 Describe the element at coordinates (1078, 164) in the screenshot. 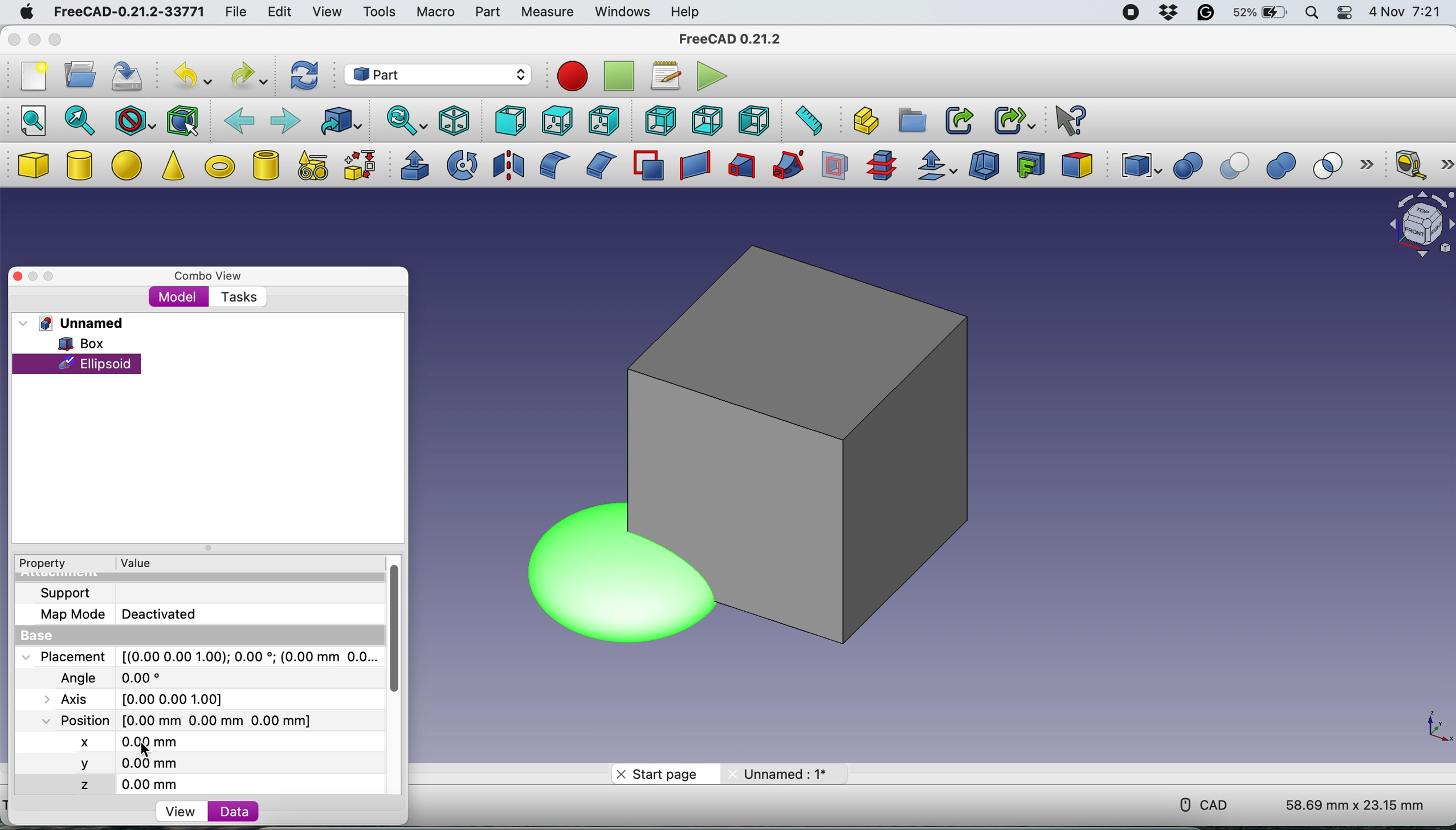

I see `color per face` at that location.